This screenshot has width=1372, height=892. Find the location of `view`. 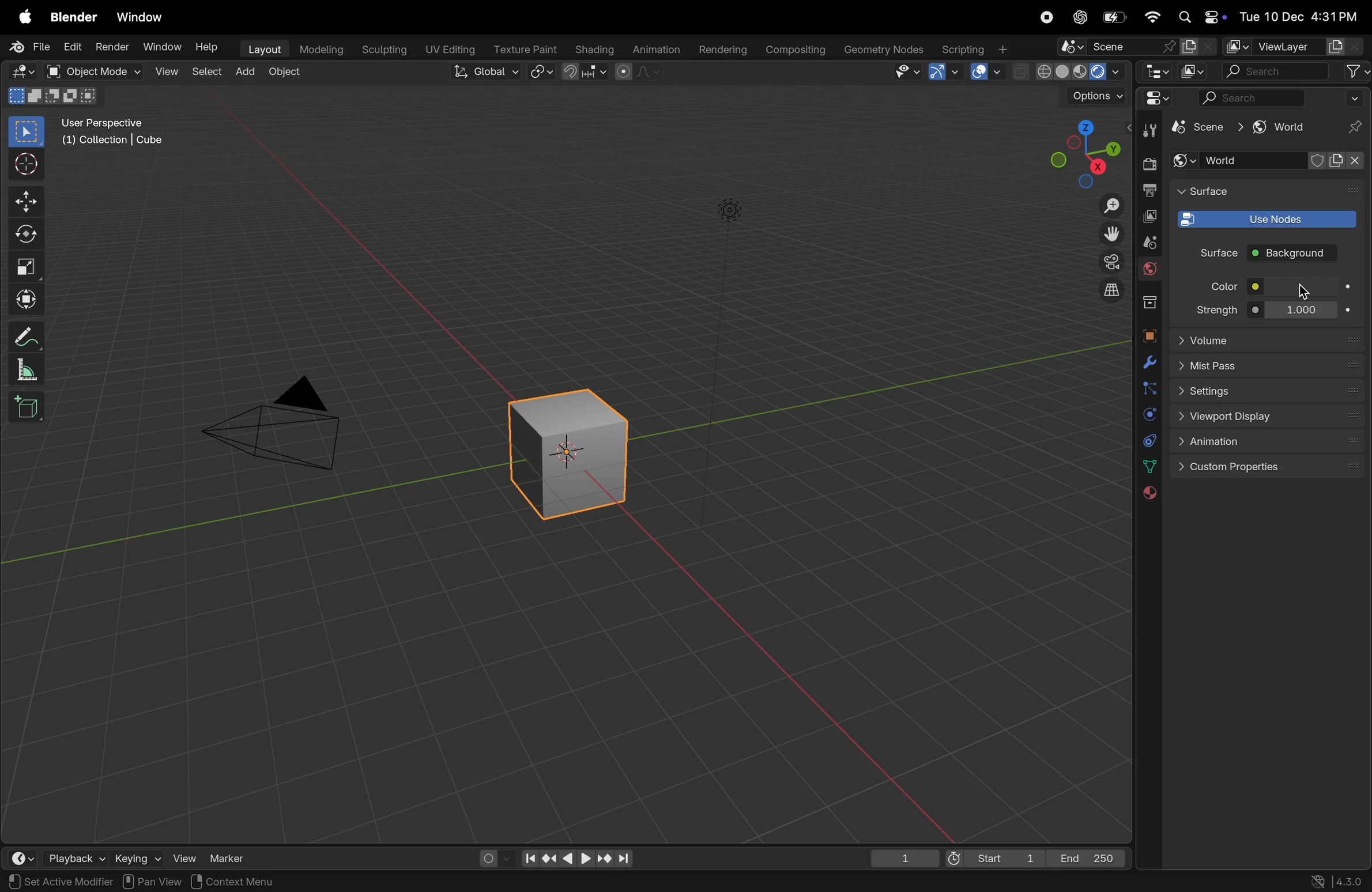

view is located at coordinates (184, 856).